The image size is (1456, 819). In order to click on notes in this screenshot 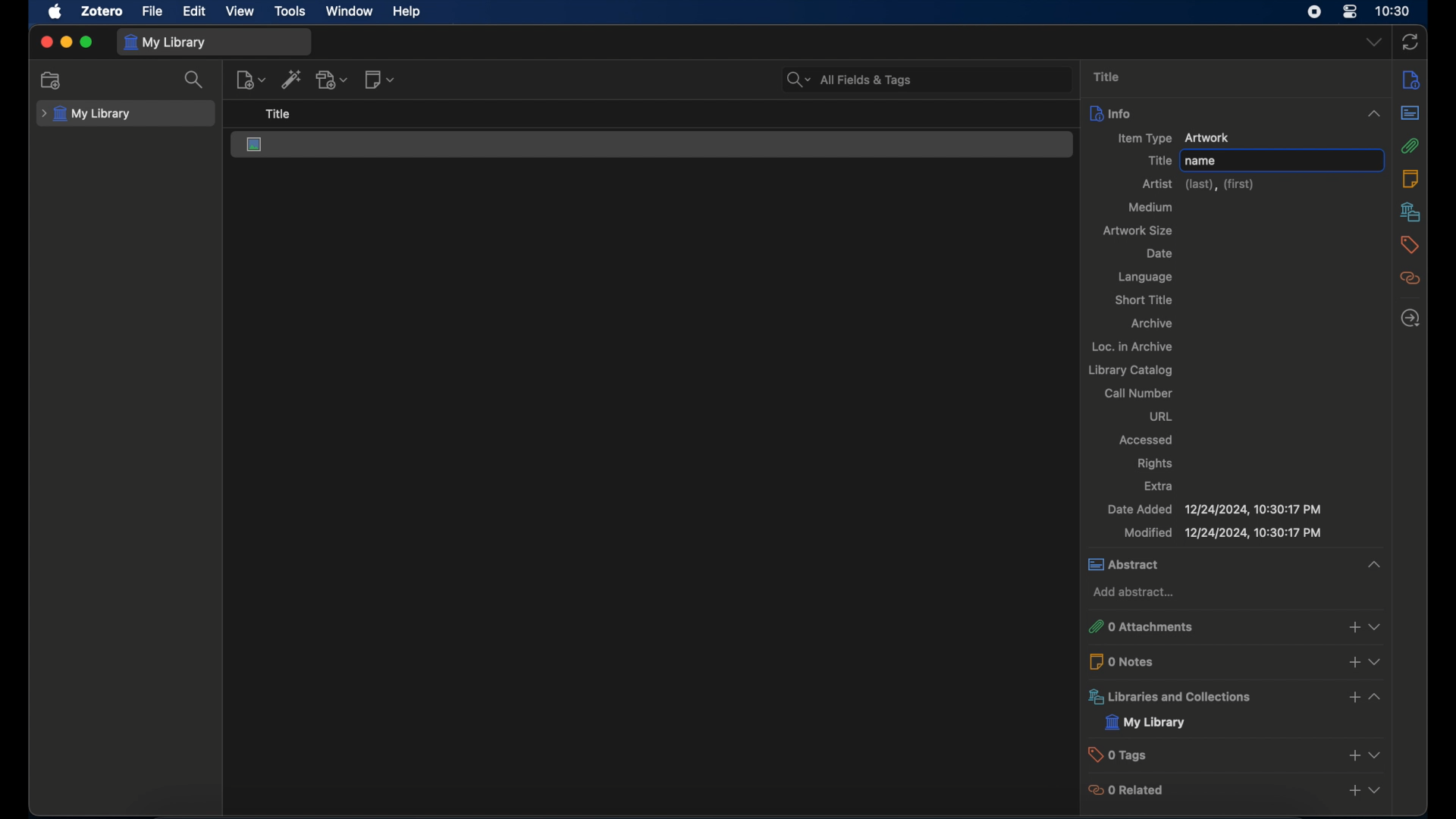, I will do `click(1411, 178)`.